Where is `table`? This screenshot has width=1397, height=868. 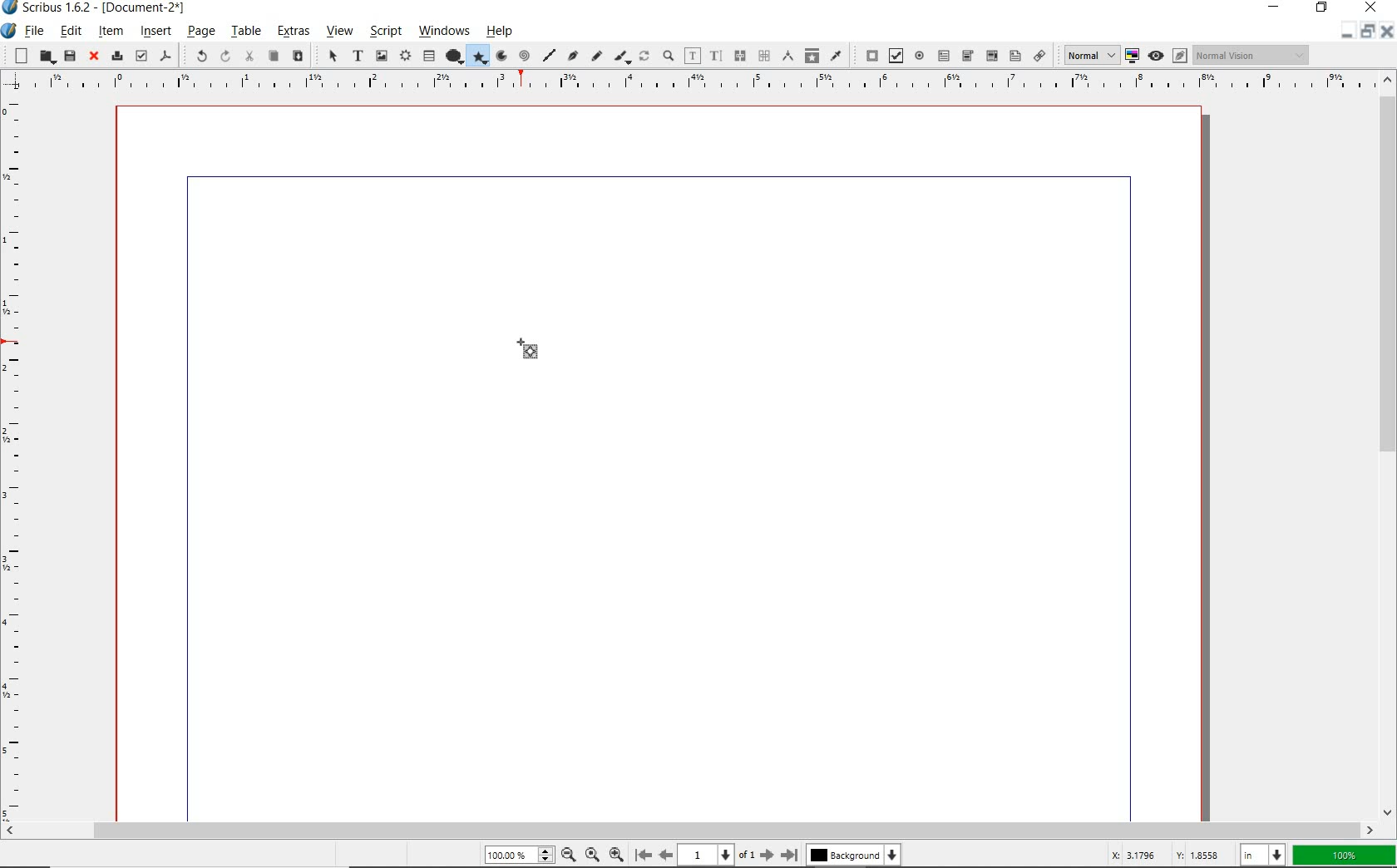
table is located at coordinates (245, 32).